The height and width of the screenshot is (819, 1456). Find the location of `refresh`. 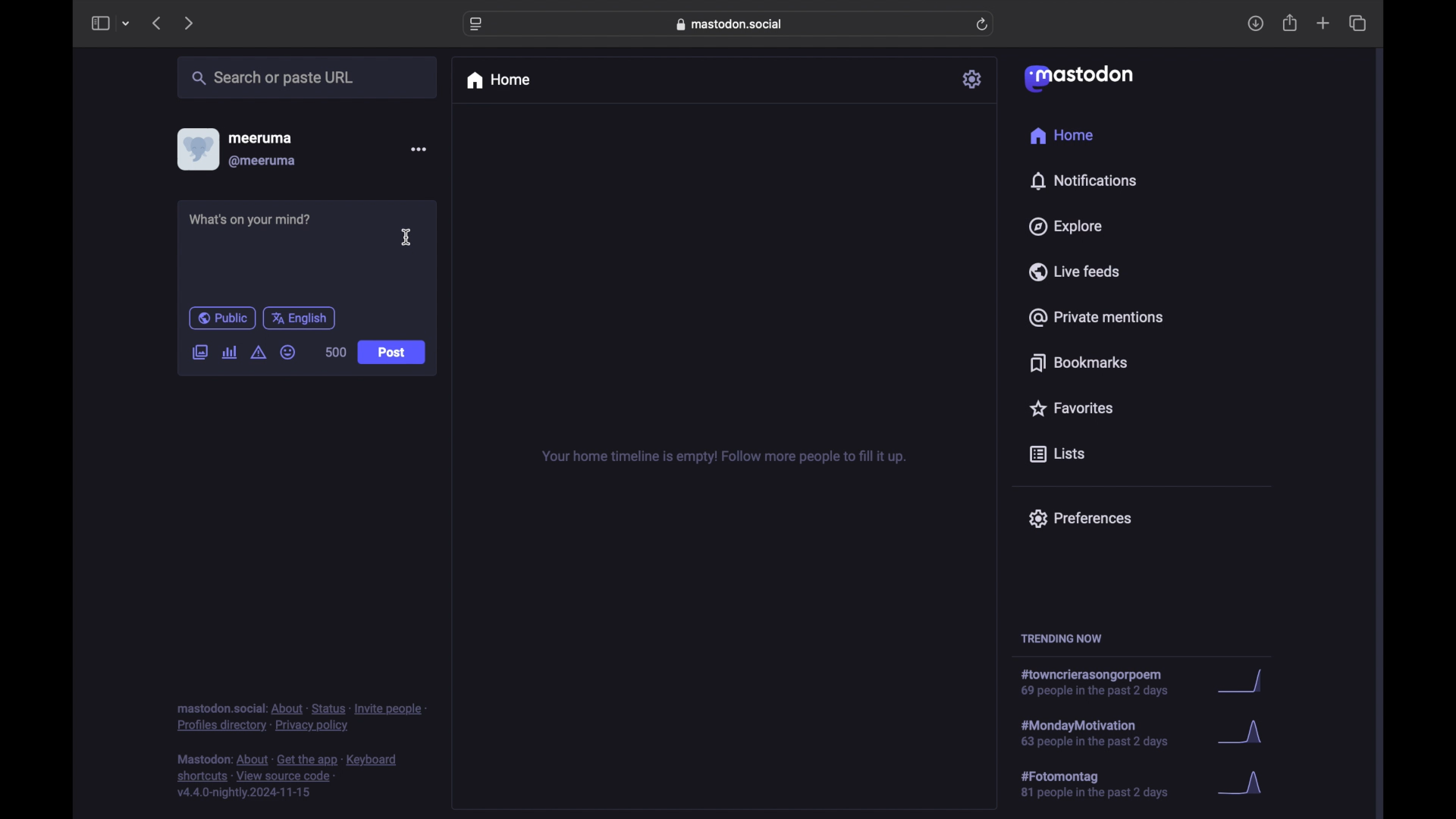

refresh is located at coordinates (984, 25).